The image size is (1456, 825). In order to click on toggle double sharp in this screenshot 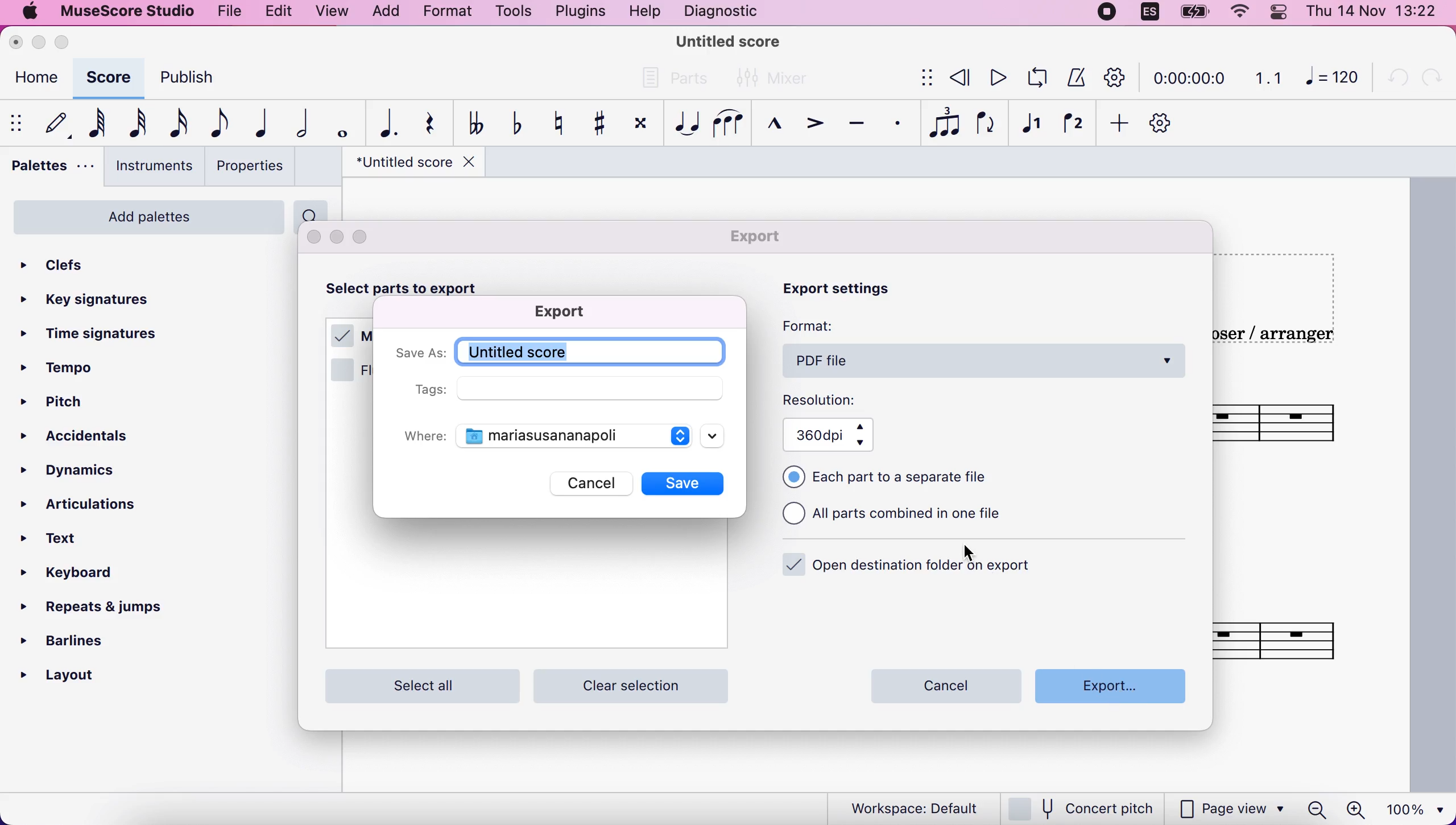, I will do `click(638, 124)`.